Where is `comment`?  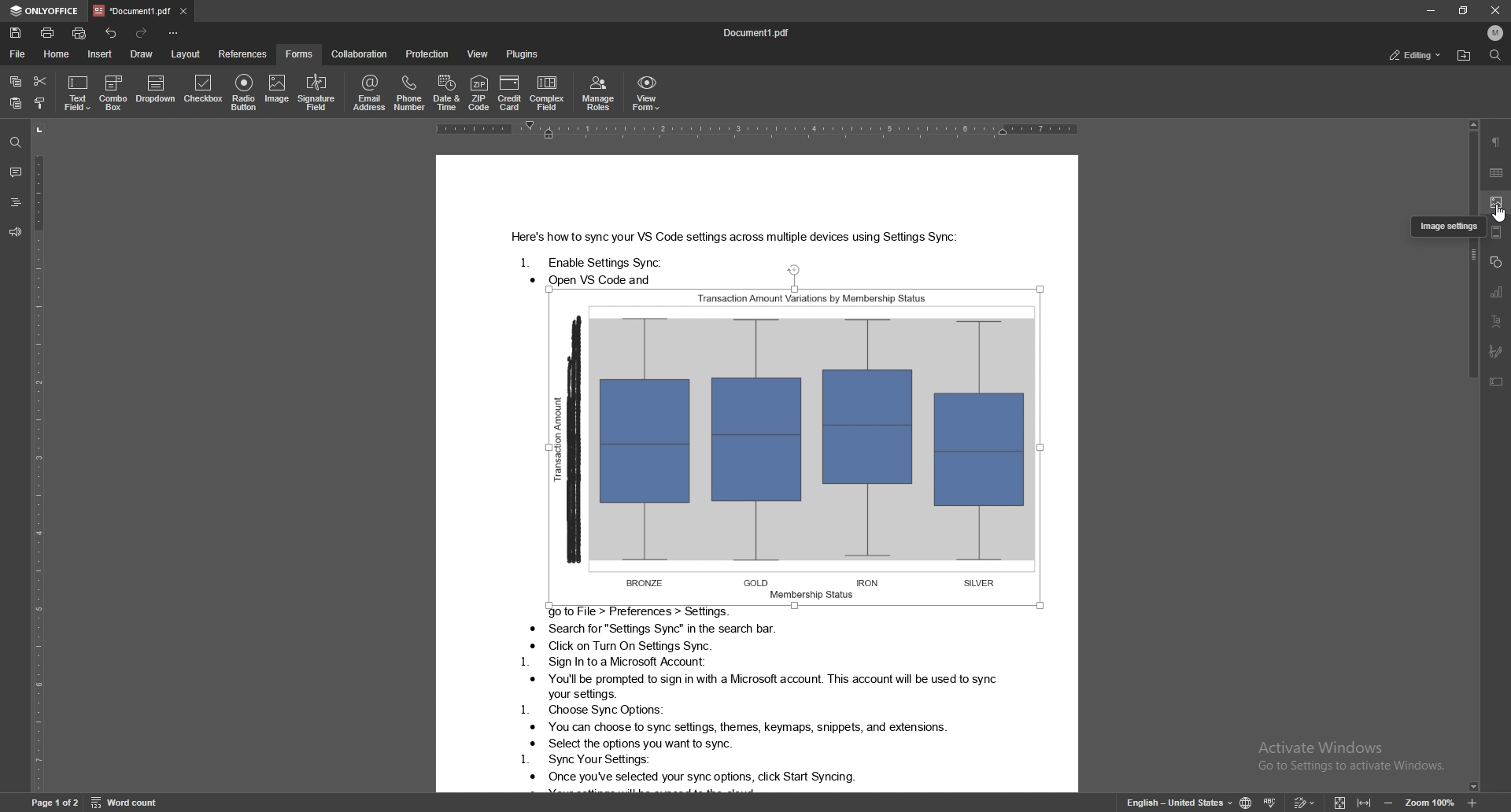 comment is located at coordinates (15, 172).